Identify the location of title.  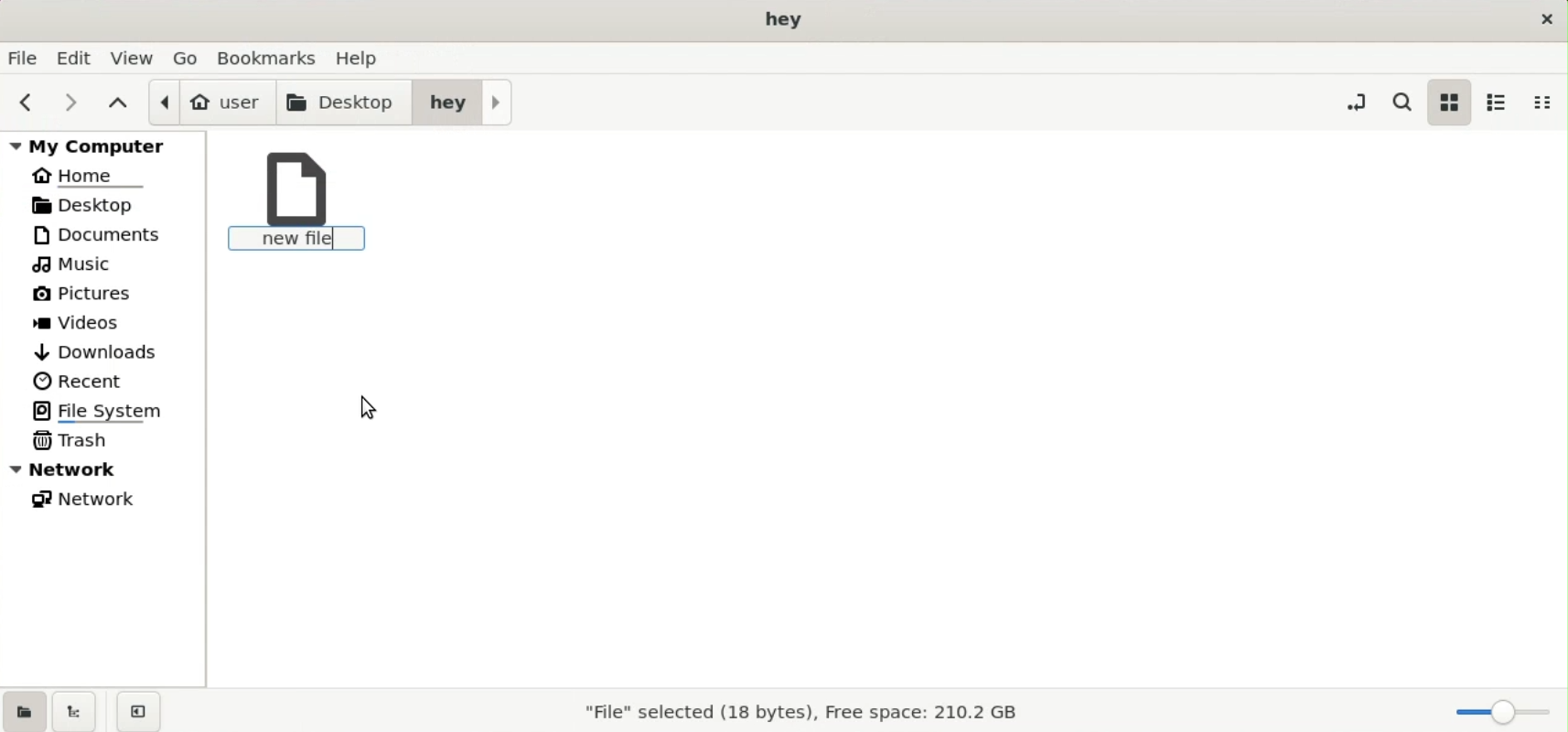
(786, 20).